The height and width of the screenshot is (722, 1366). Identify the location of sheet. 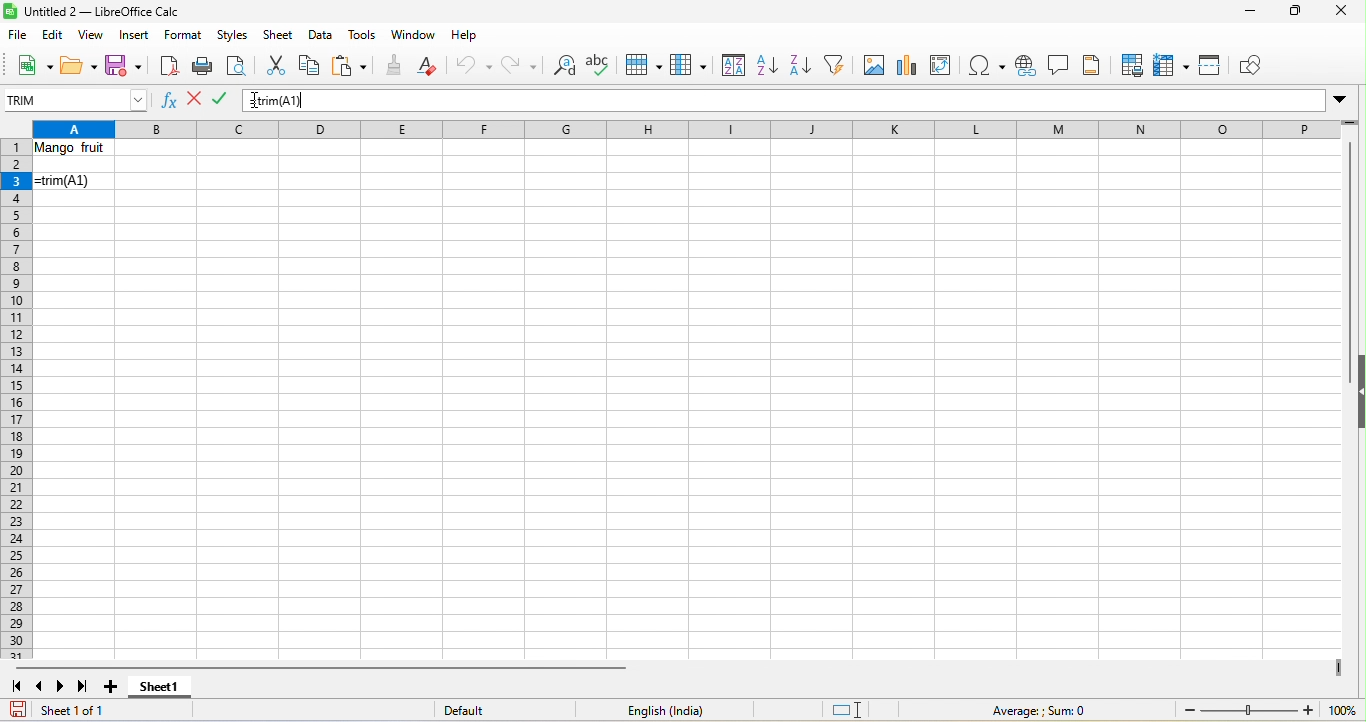
(280, 35).